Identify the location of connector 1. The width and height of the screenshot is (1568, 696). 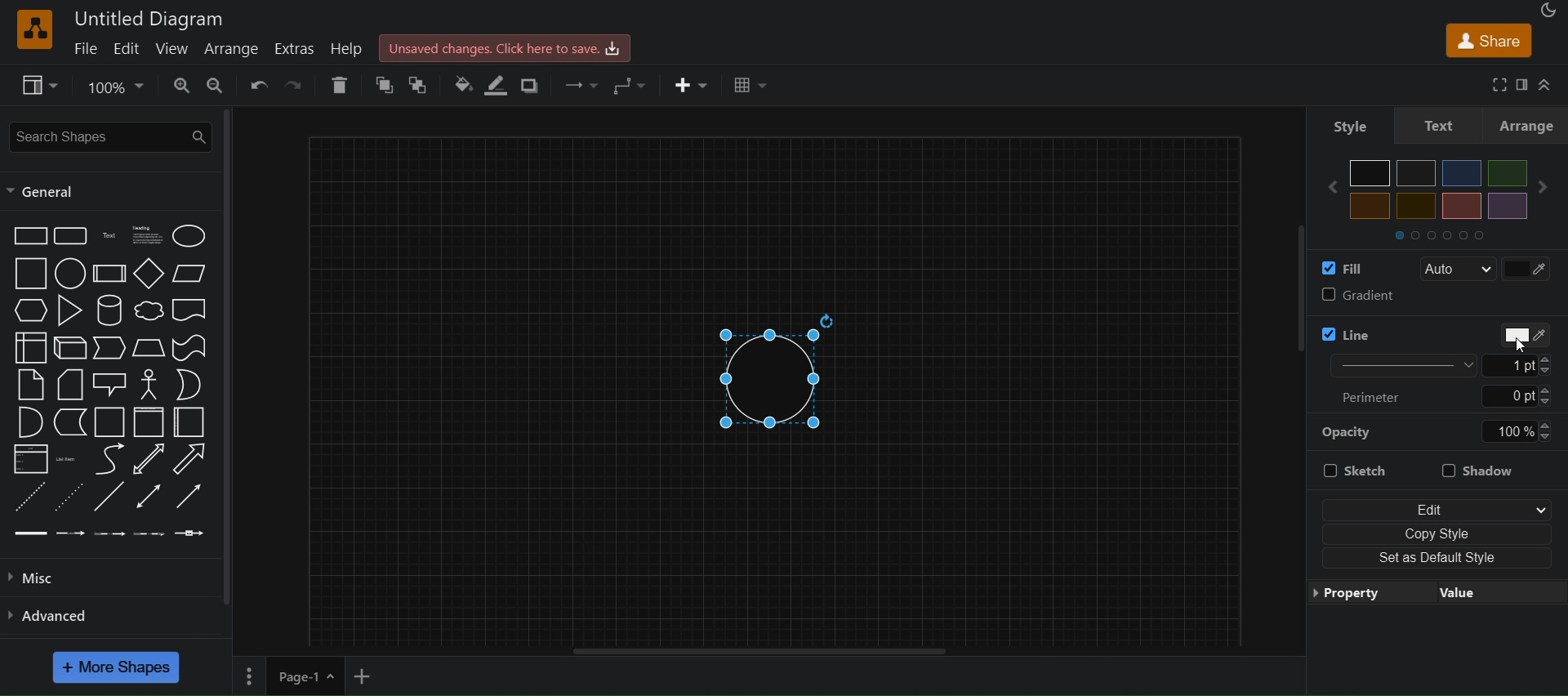
(29, 533).